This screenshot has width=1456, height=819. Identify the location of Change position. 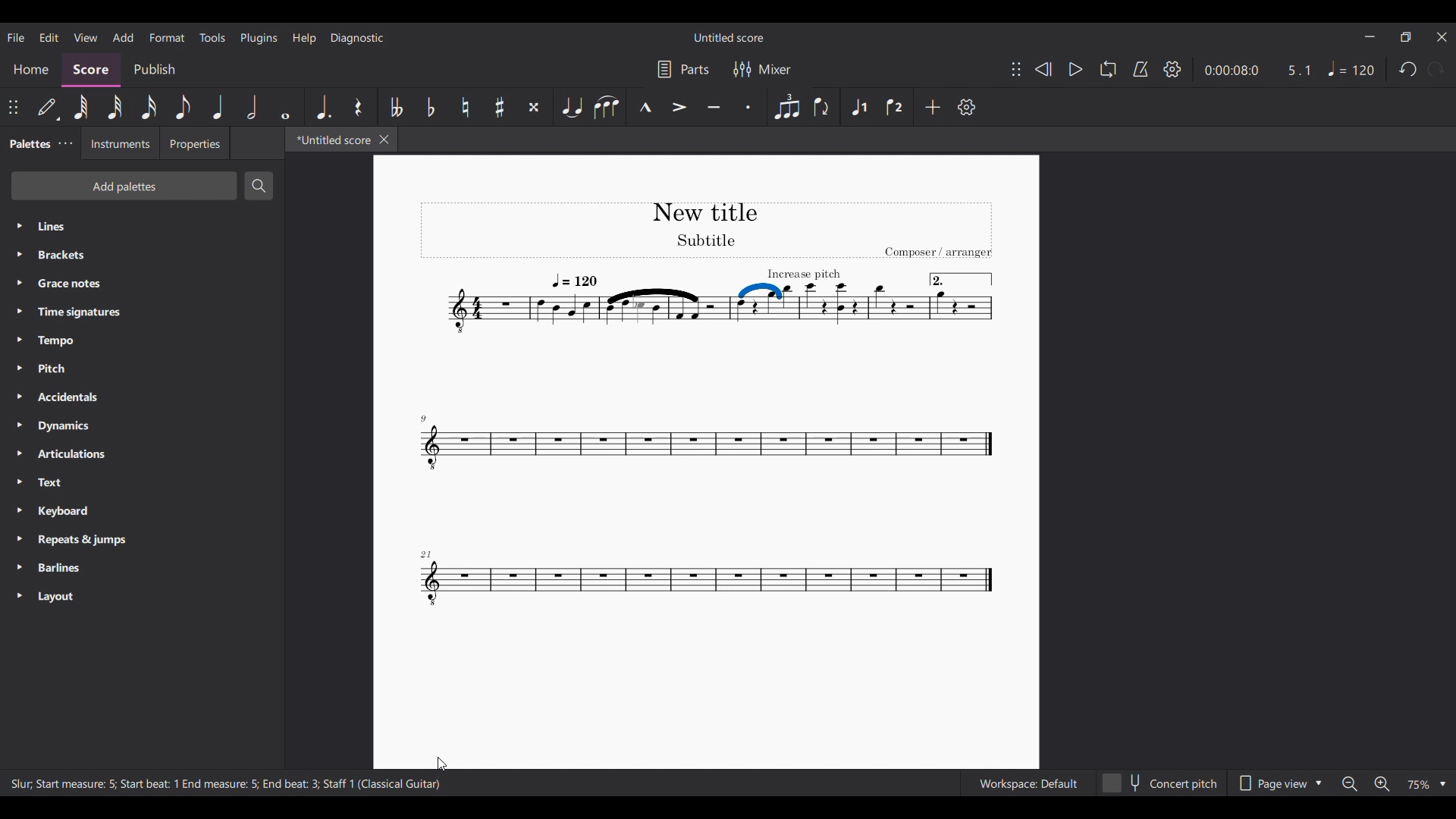
(14, 107).